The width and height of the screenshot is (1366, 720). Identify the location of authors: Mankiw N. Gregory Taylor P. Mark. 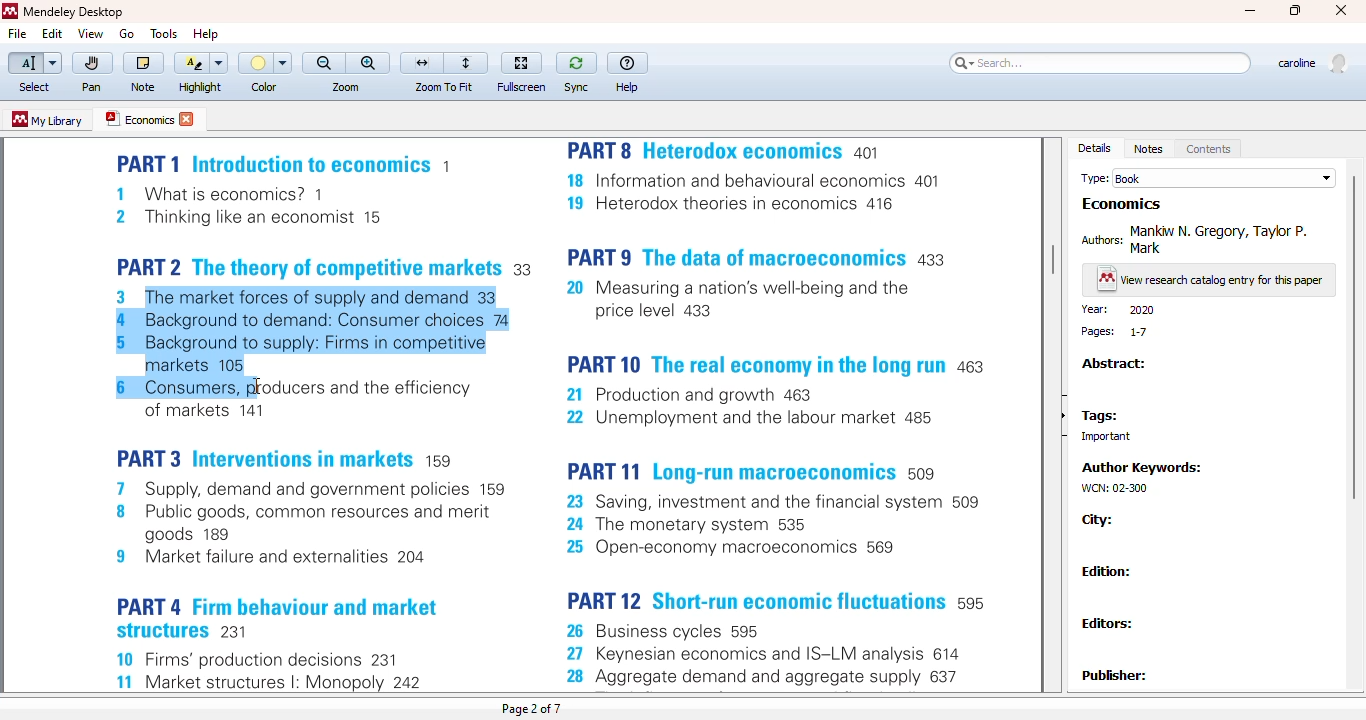
(1199, 238).